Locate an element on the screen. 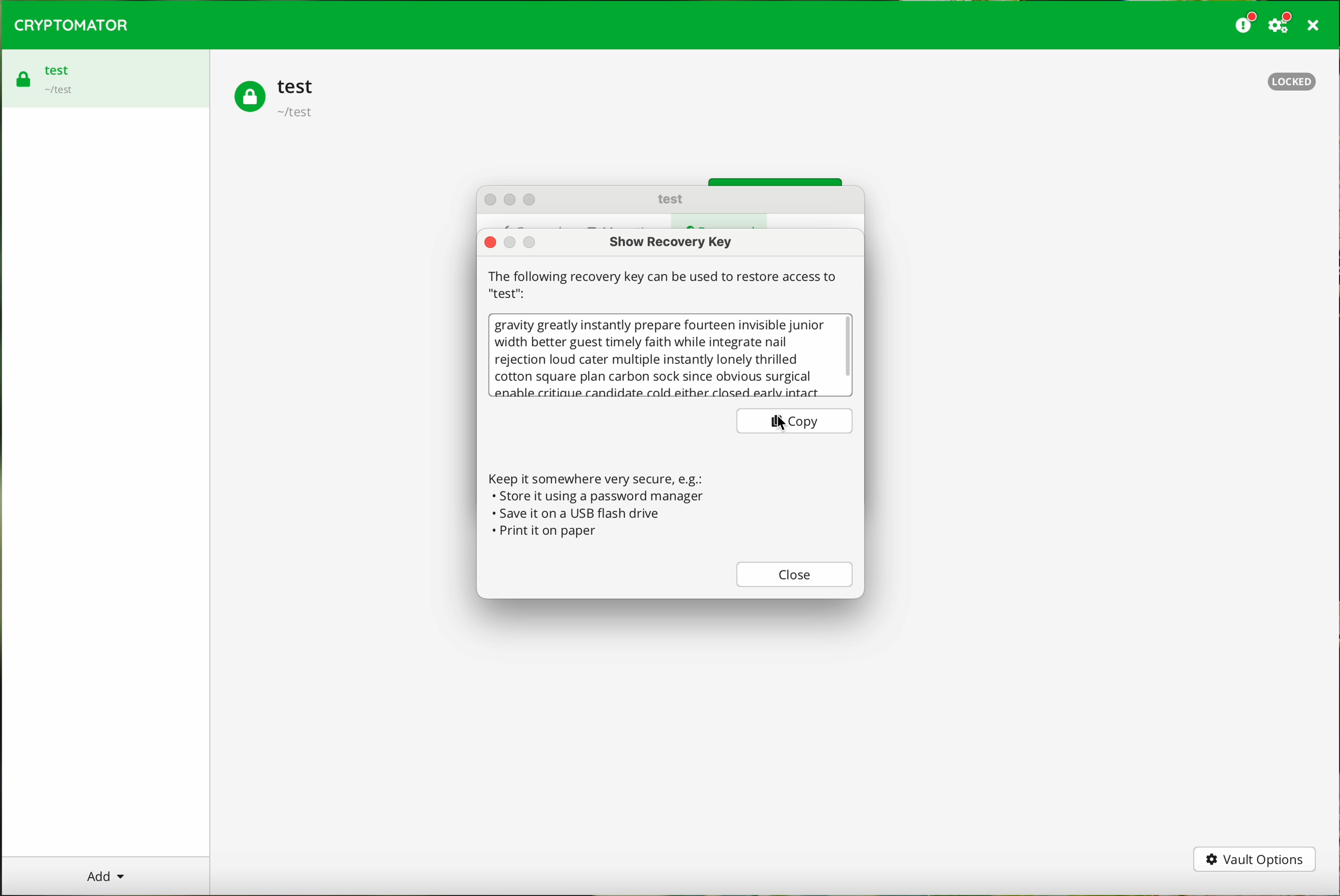 The image size is (1340, 896). test is located at coordinates (669, 198).